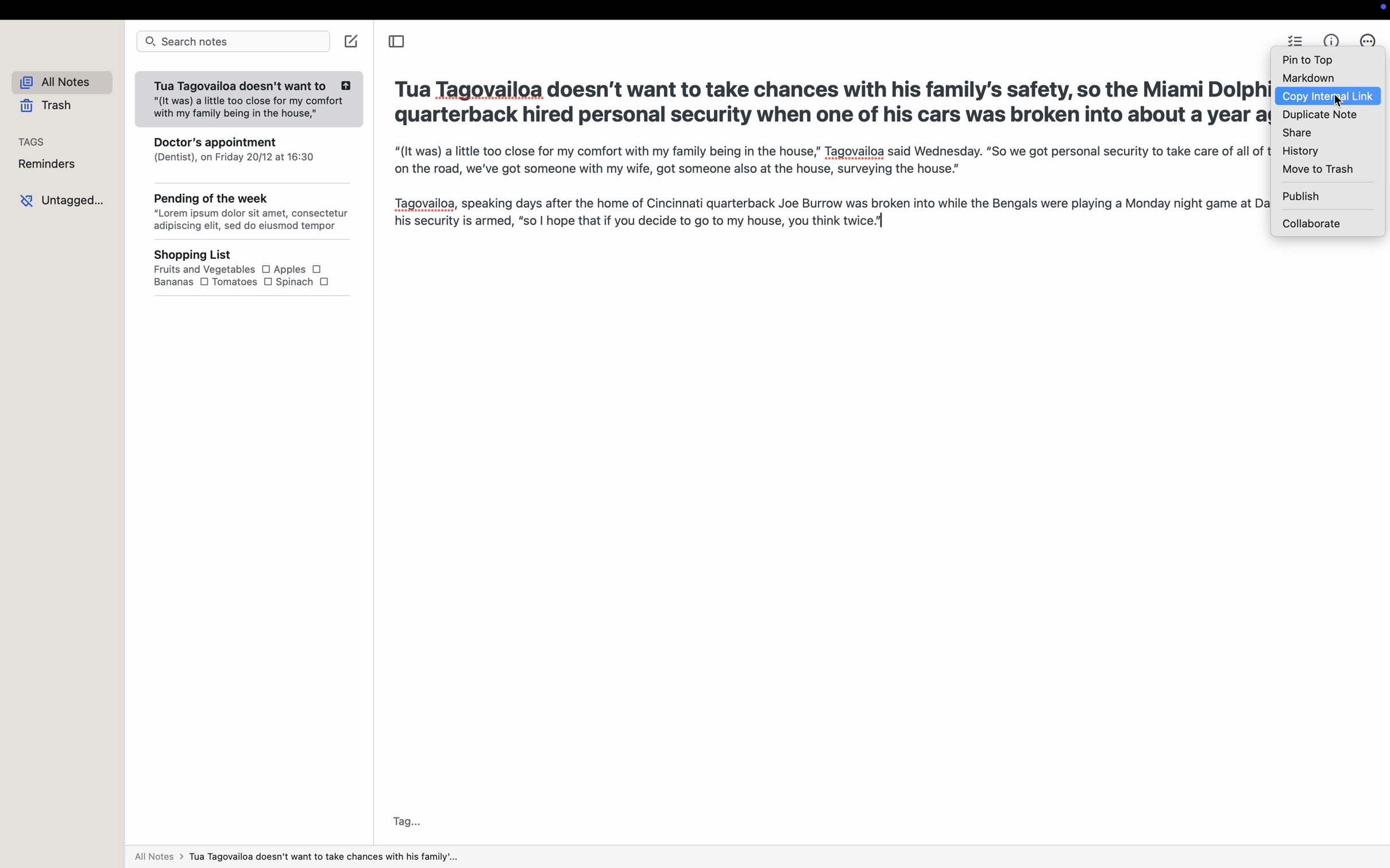  I want to click on reminders, so click(43, 165).